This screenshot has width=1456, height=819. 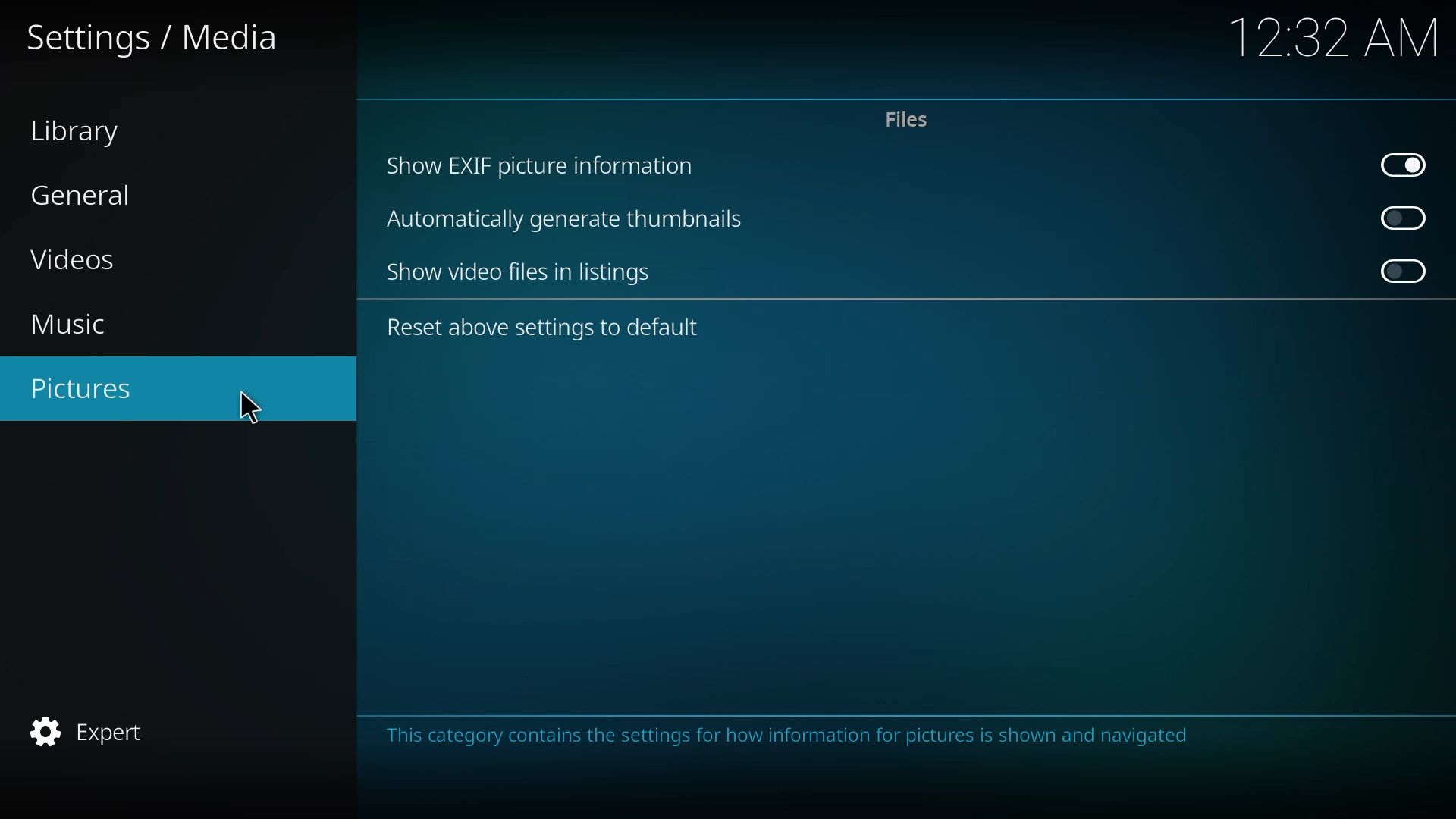 I want to click on enabled, so click(x=1404, y=163).